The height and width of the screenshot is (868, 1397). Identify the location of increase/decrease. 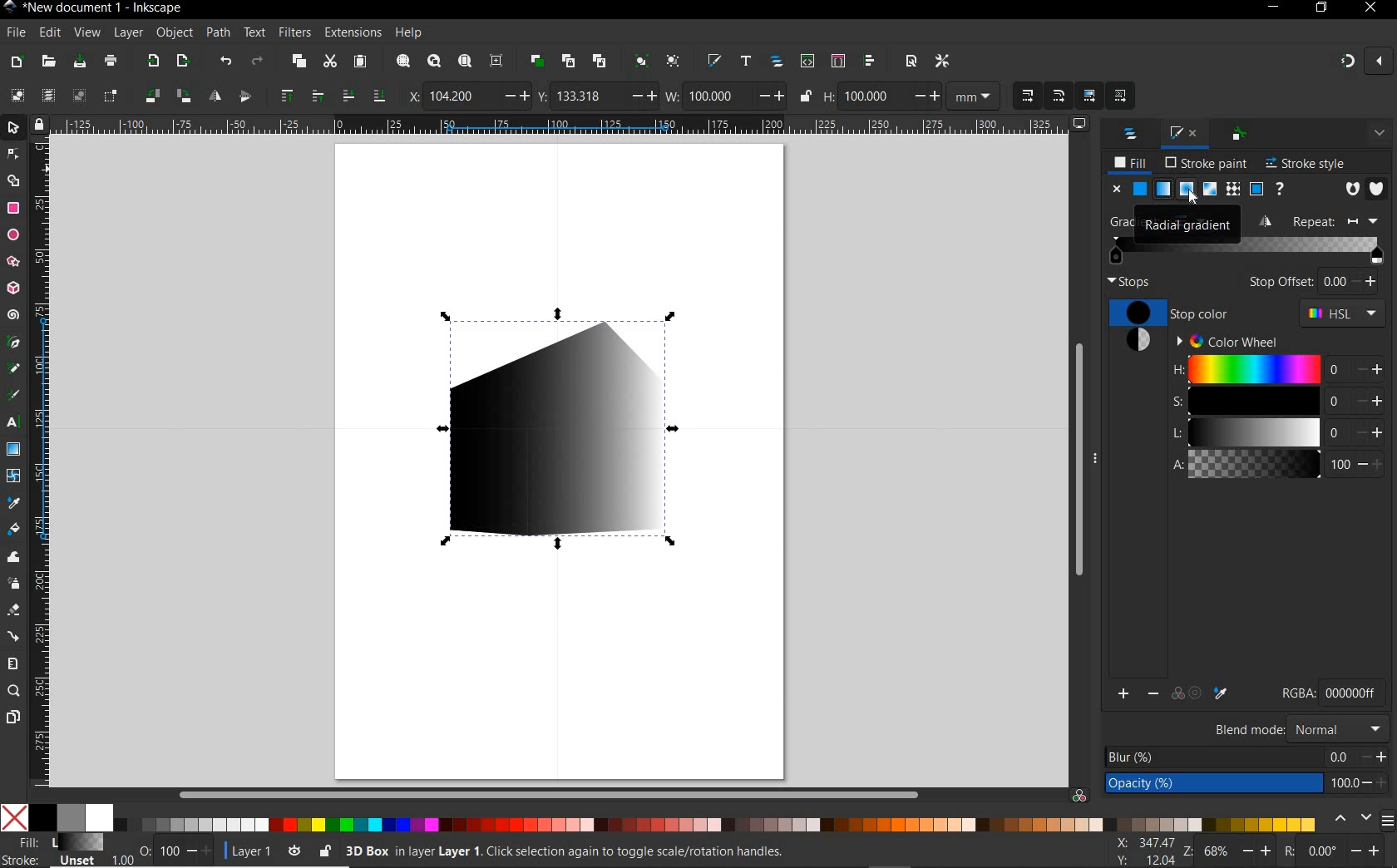
(200, 851).